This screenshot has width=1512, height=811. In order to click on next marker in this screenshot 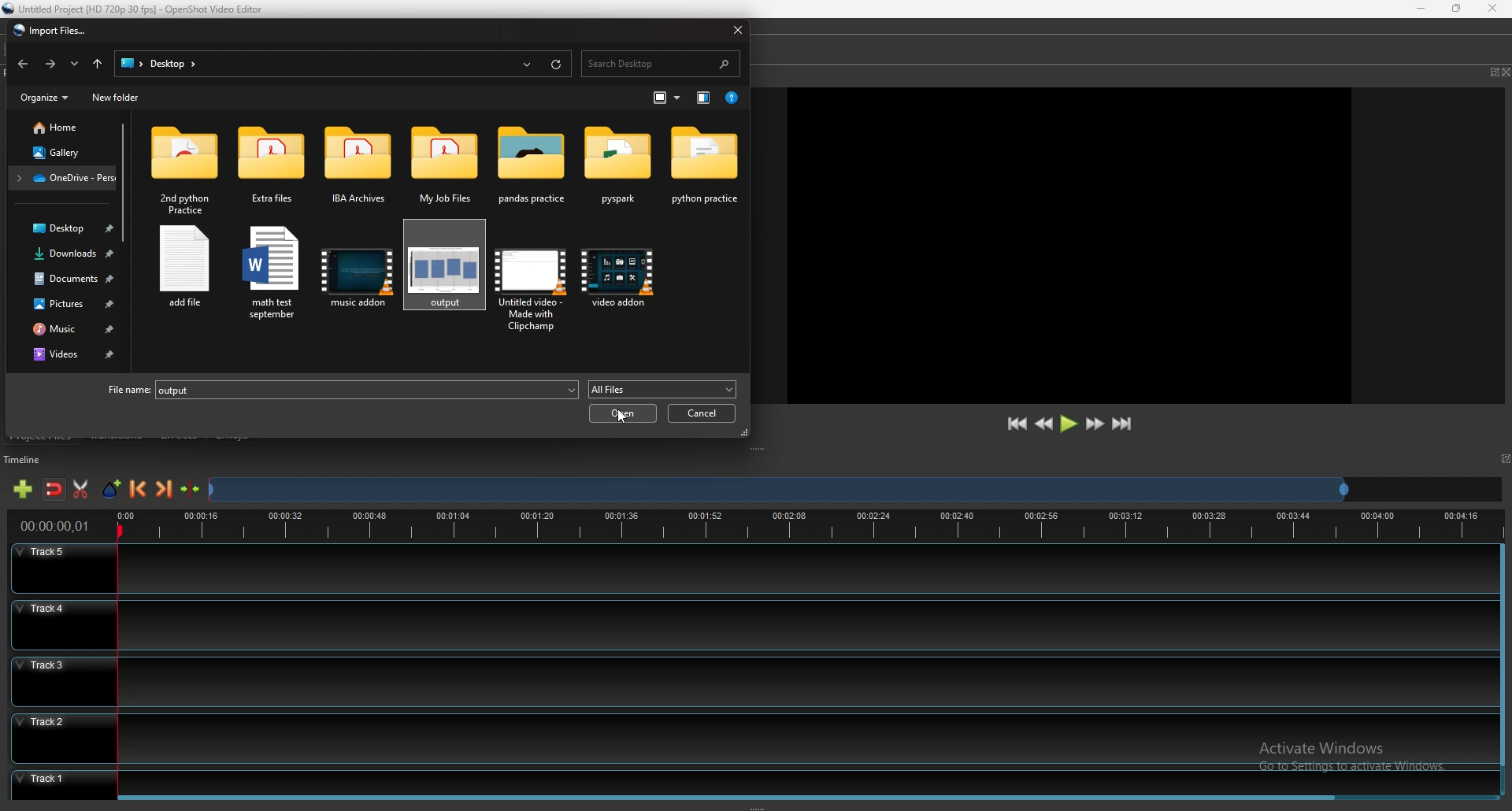, I will do `click(165, 488)`.